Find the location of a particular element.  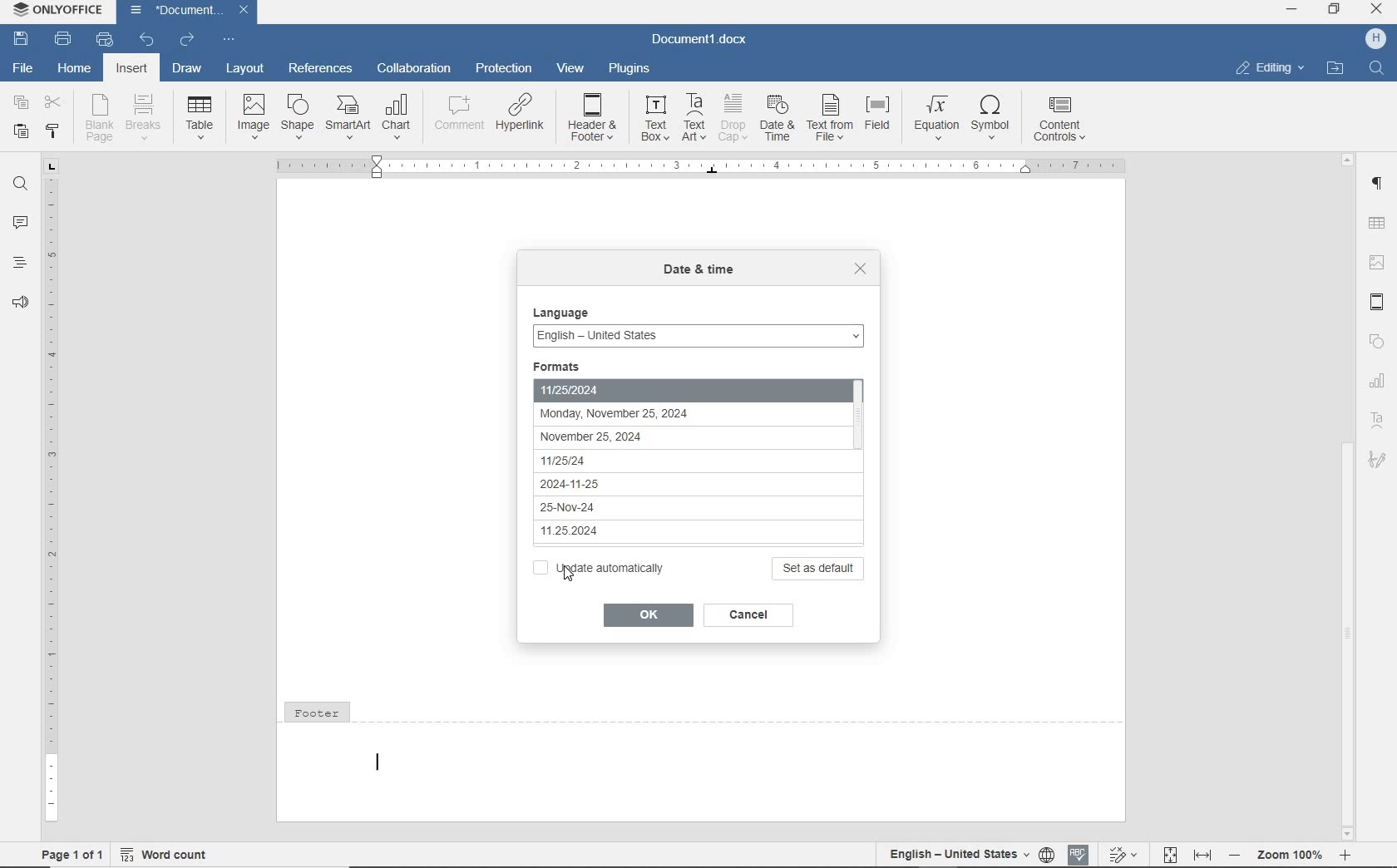

PASTE is located at coordinates (20, 133).